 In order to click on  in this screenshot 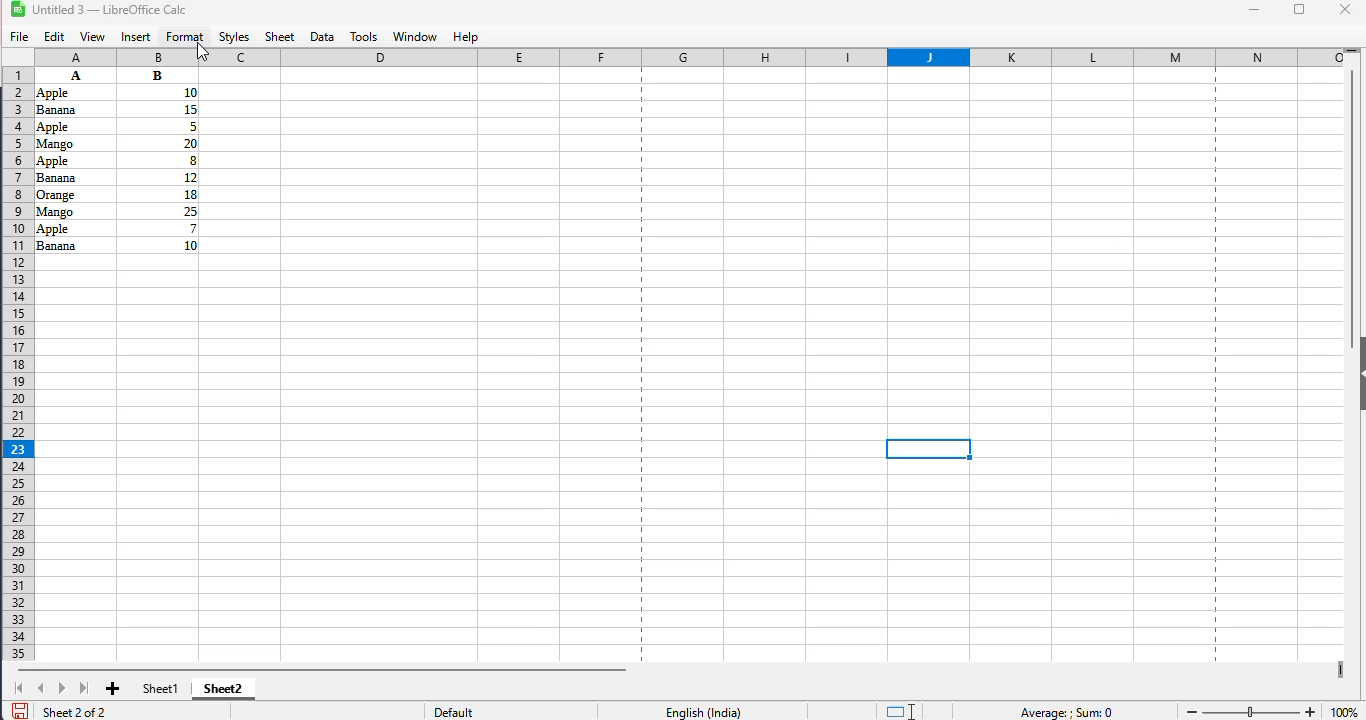, I will do `click(159, 193)`.